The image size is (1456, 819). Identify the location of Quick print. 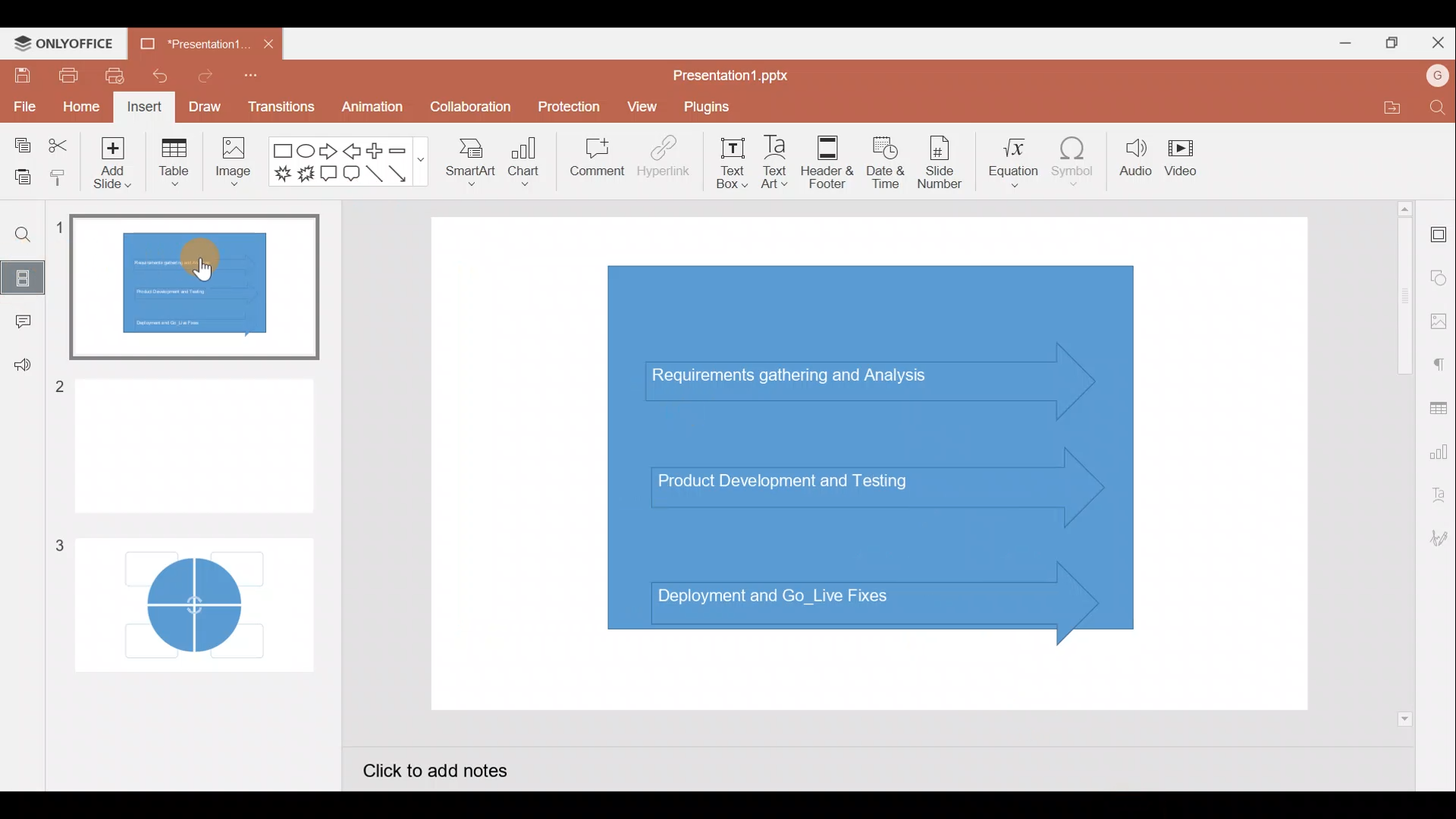
(115, 76).